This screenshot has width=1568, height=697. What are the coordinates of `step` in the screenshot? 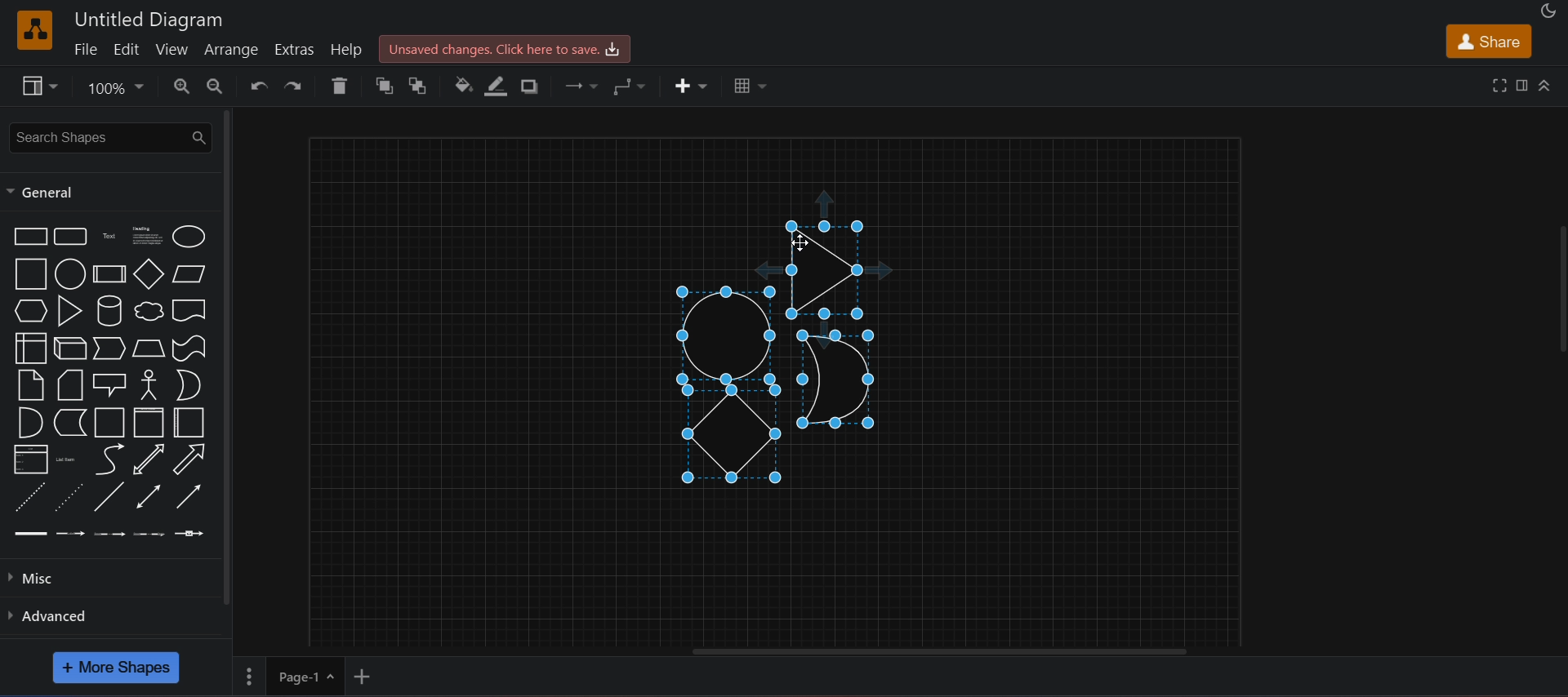 It's located at (109, 348).